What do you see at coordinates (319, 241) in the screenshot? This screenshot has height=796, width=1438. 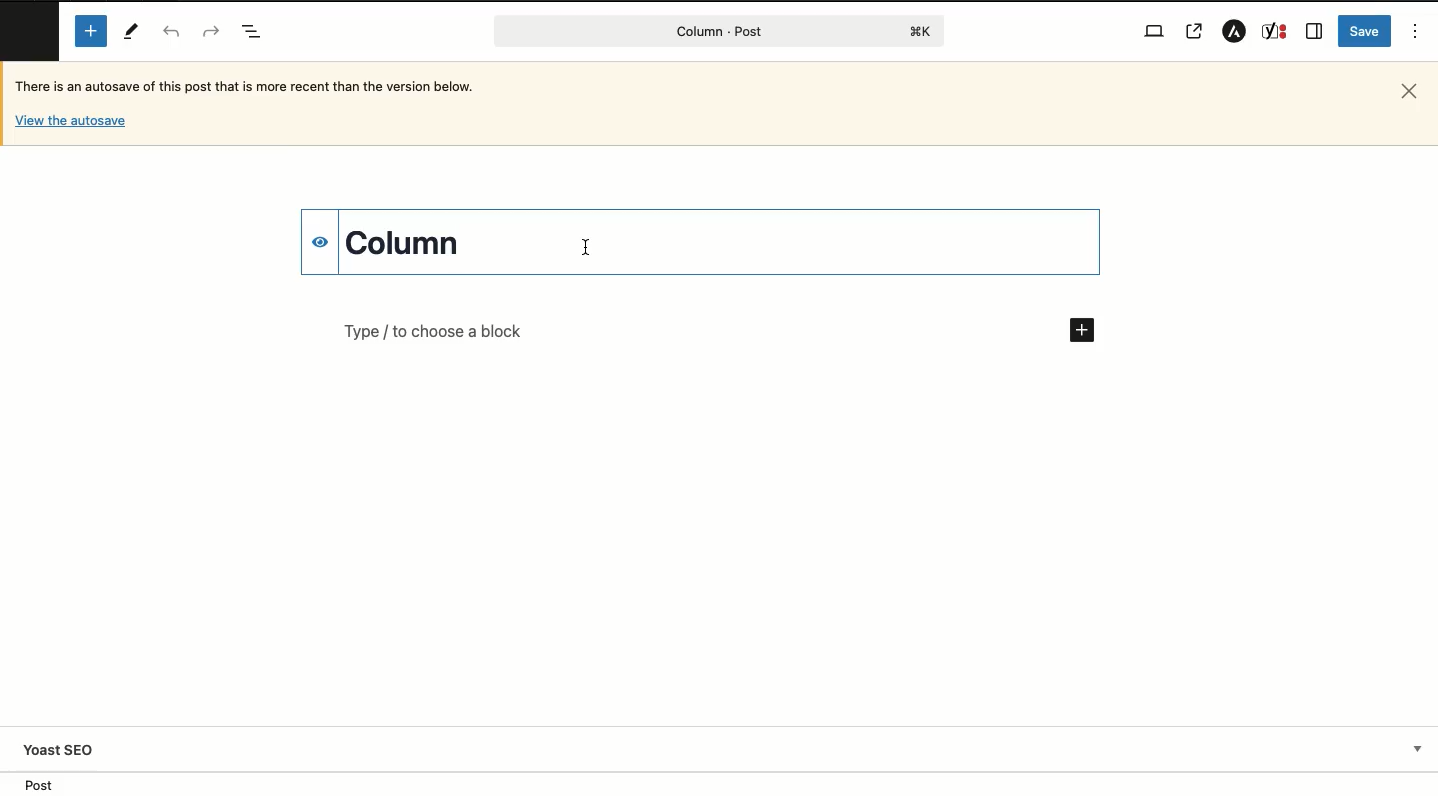 I see `hide` at bounding box center [319, 241].